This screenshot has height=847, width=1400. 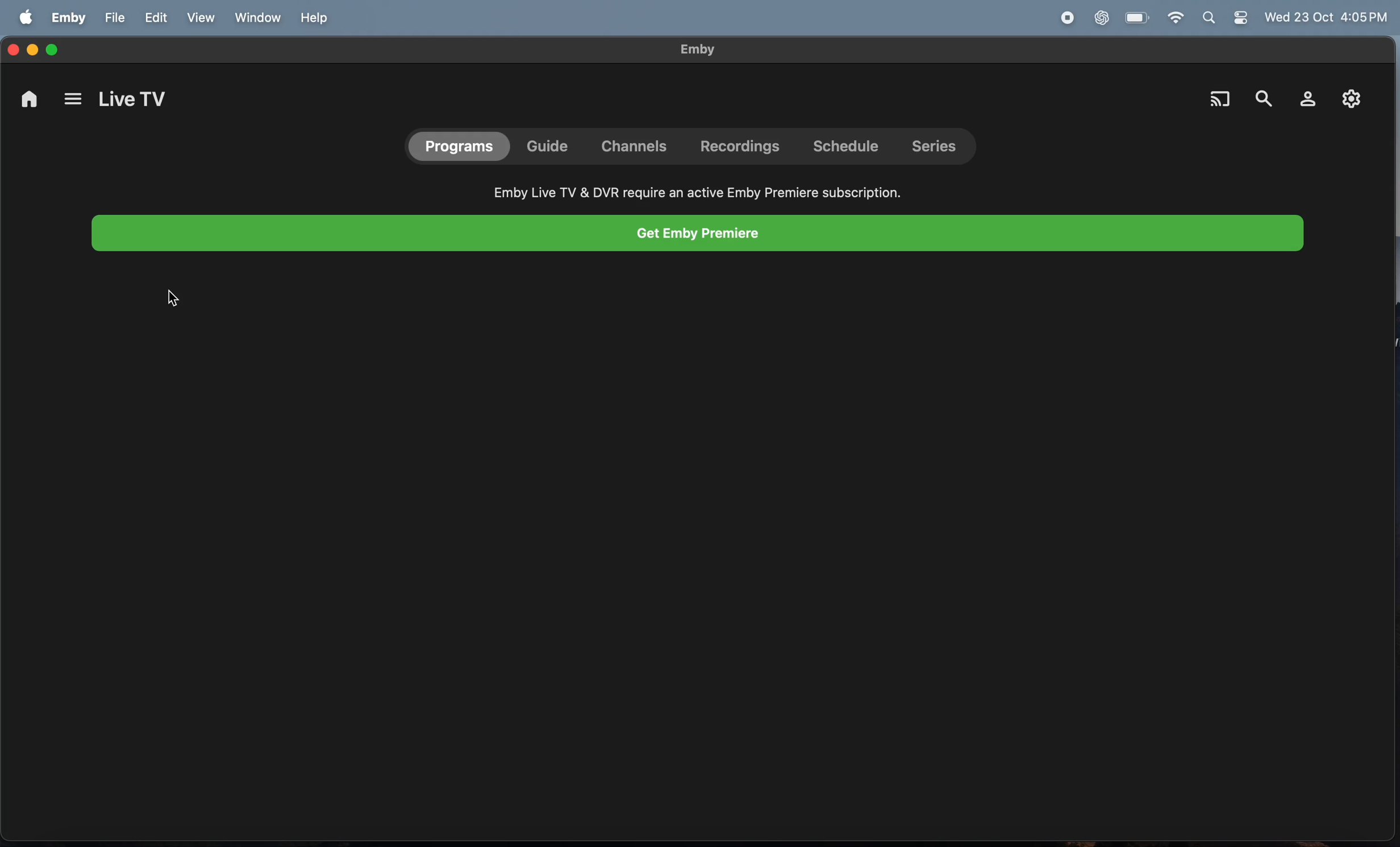 What do you see at coordinates (1064, 17) in the screenshot?
I see `record` at bounding box center [1064, 17].